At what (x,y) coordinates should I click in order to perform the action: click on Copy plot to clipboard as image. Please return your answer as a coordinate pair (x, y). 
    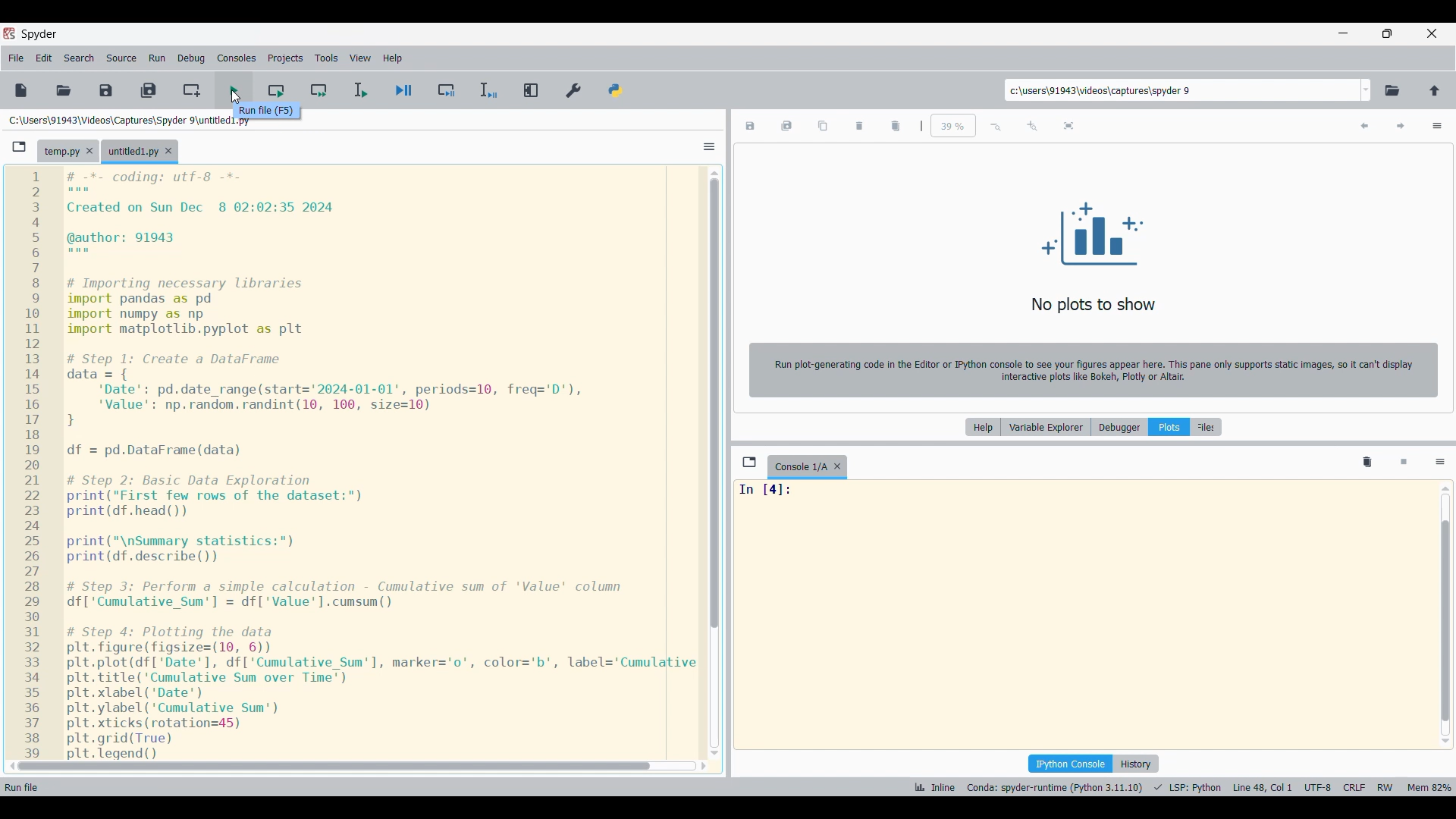
    Looking at the image, I should click on (823, 126).